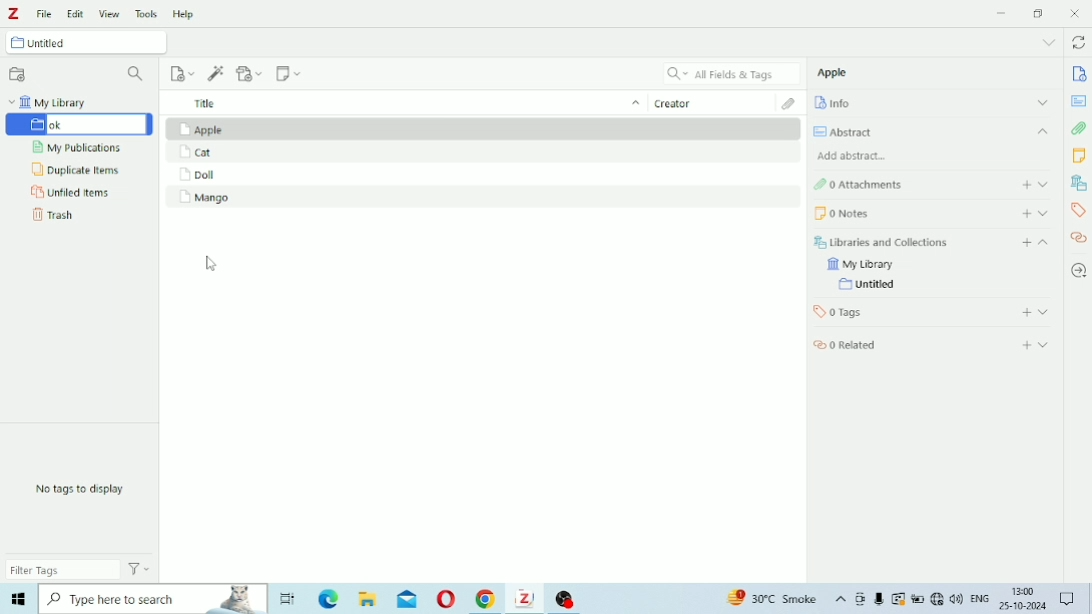 This screenshot has height=614, width=1092. What do you see at coordinates (203, 198) in the screenshot?
I see `Mango` at bounding box center [203, 198].